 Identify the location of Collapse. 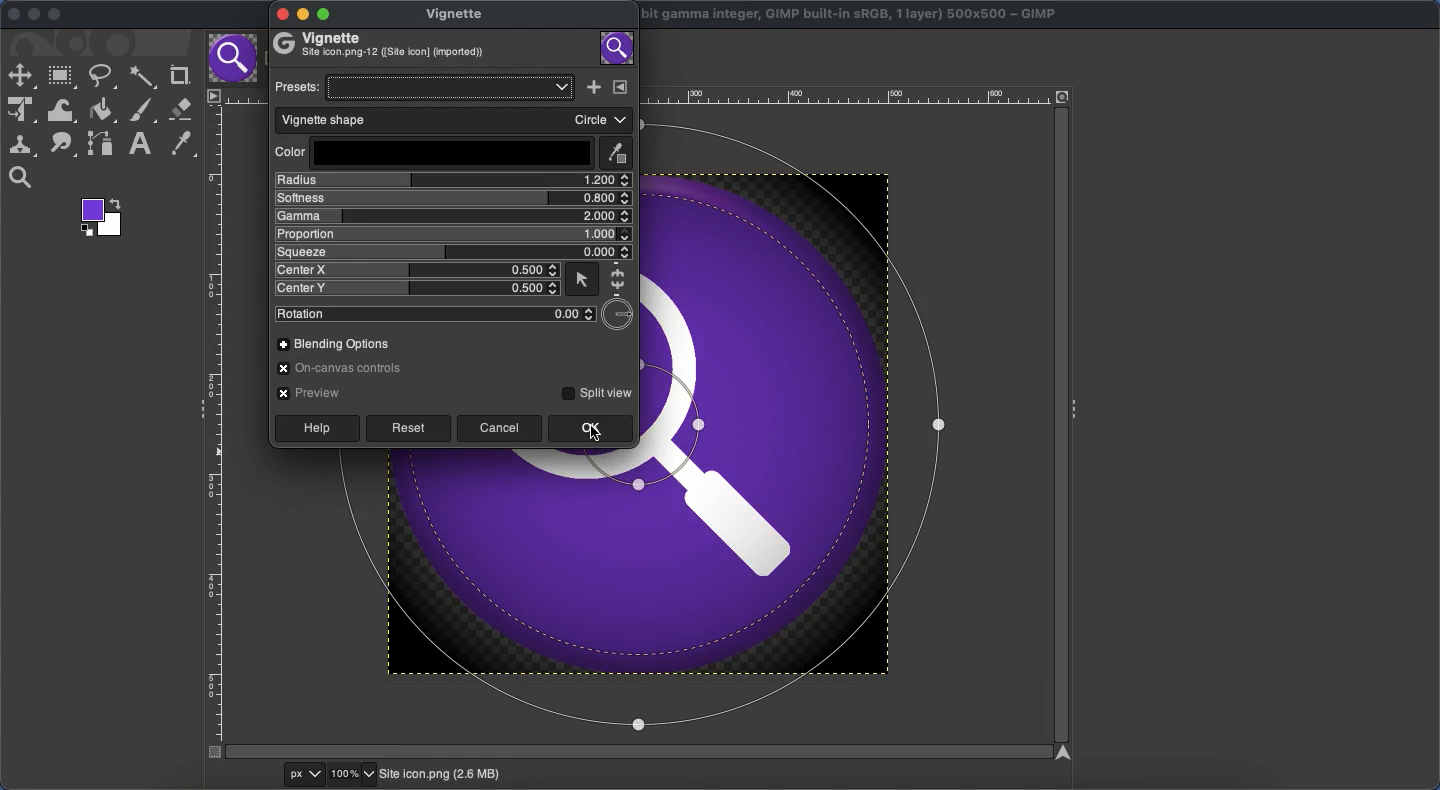
(1077, 406).